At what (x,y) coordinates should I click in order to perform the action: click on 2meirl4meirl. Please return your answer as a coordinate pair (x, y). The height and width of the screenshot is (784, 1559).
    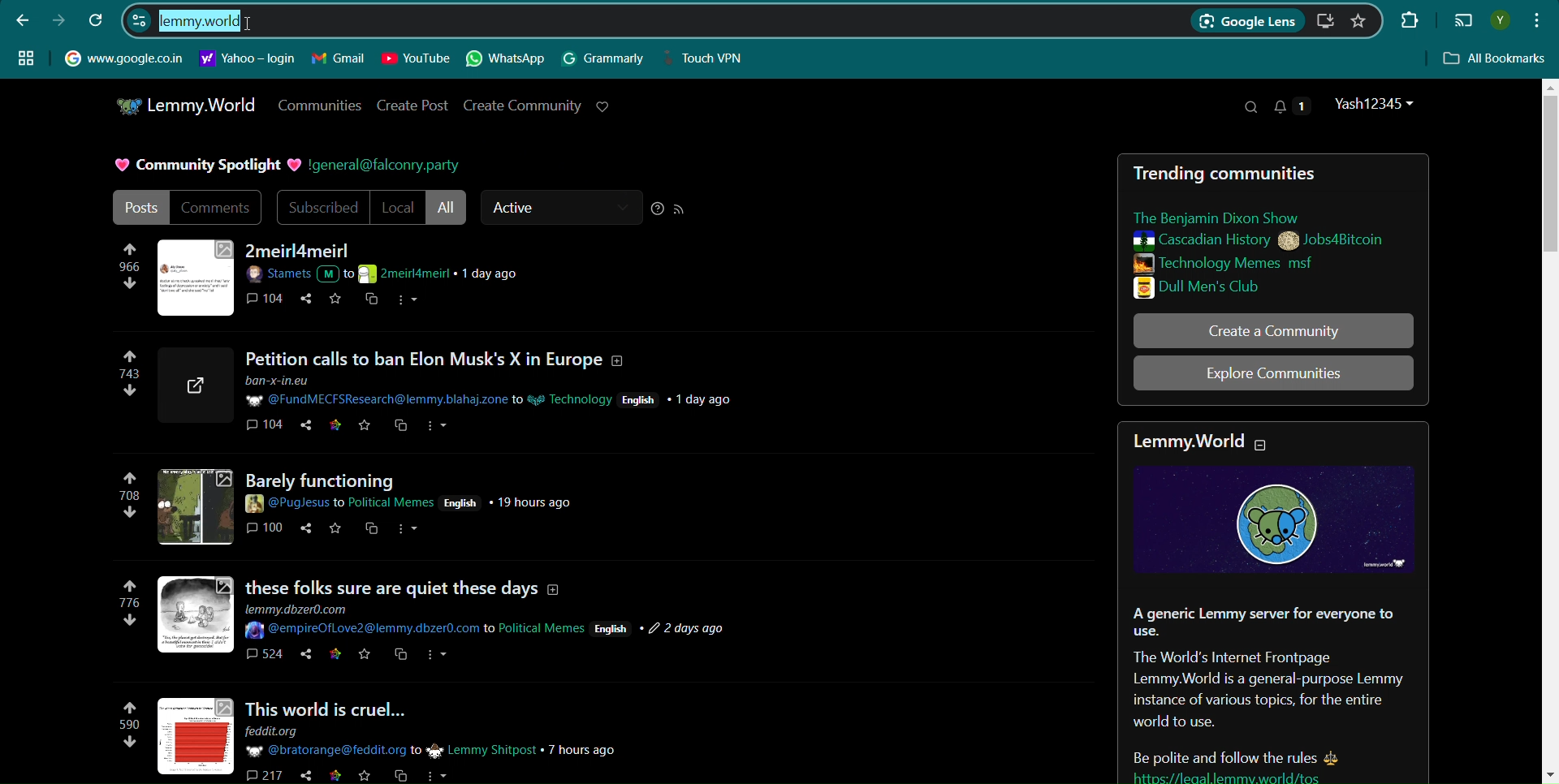
    Looking at the image, I should click on (301, 251).